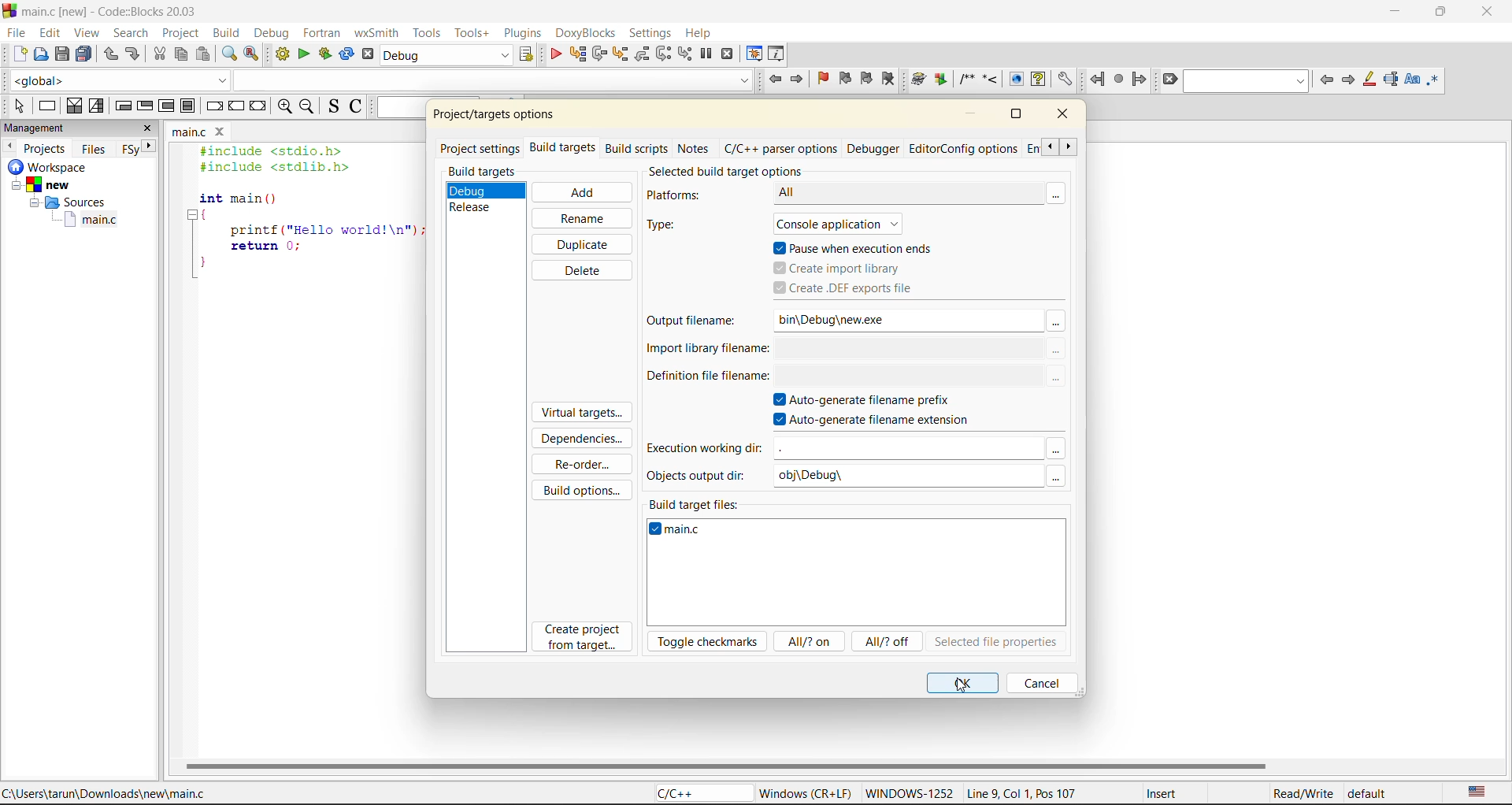 The height and width of the screenshot is (805, 1512). Describe the element at coordinates (879, 421) in the screenshot. I see `autogenerate filename extension` at that location.